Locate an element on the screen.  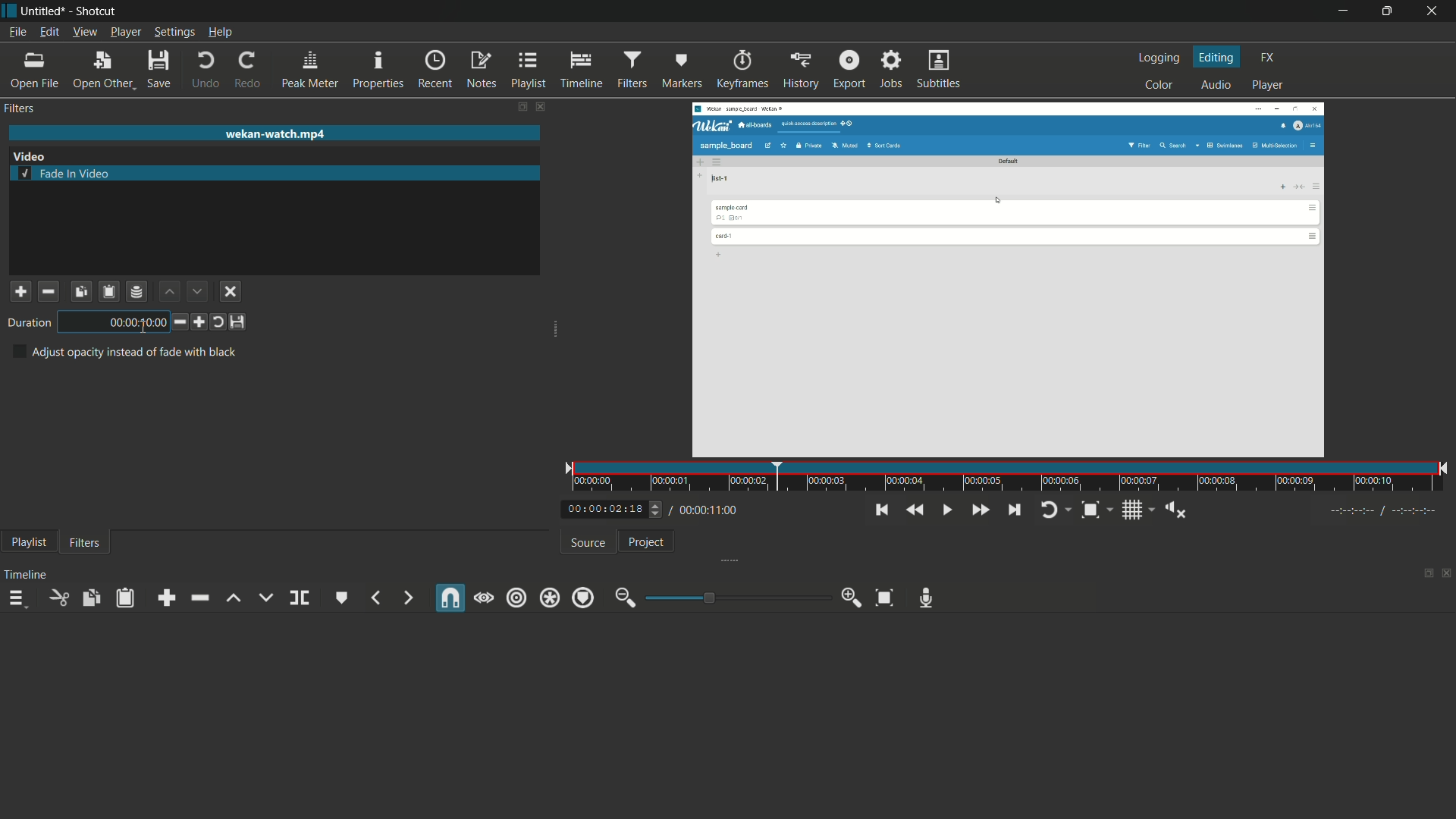
copy checked filter is located at coordinates (80, 290).